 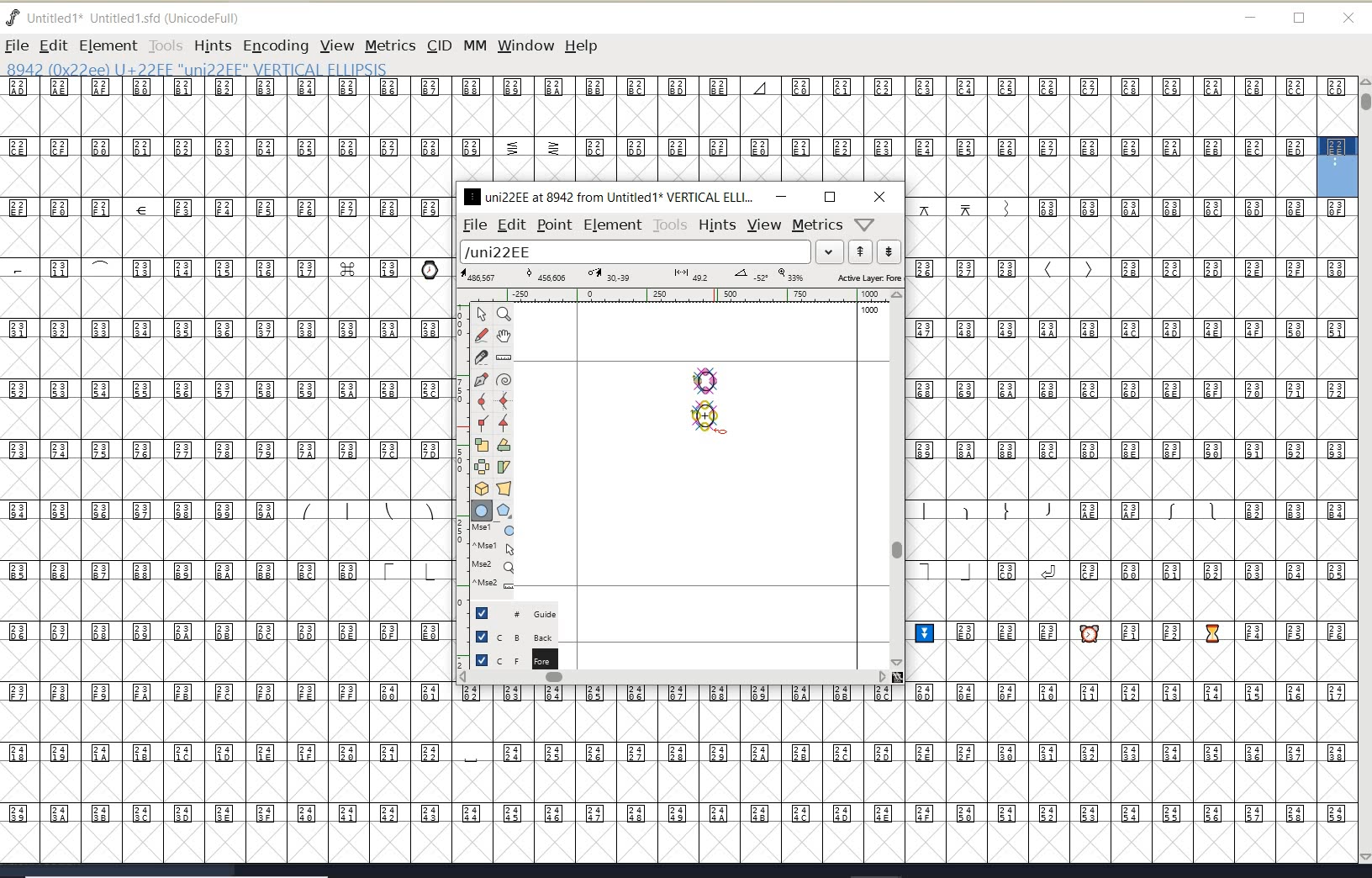 What do you see at coordinates (865, 223) in the screenshot?
I see `help/window` at bounding box center [865, 223].